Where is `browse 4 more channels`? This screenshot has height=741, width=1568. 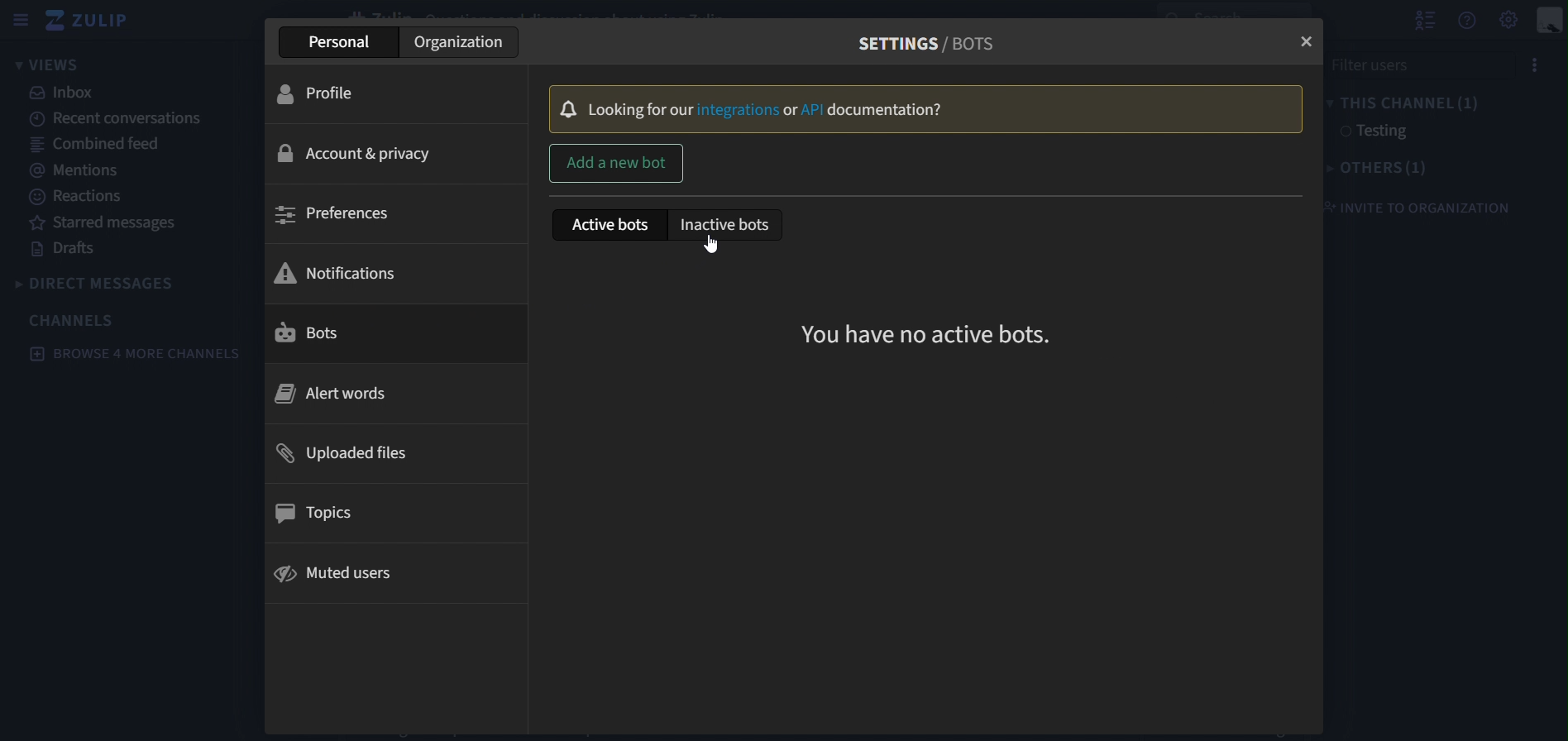 browse 4 more channels is located at coordinates (136, 354).